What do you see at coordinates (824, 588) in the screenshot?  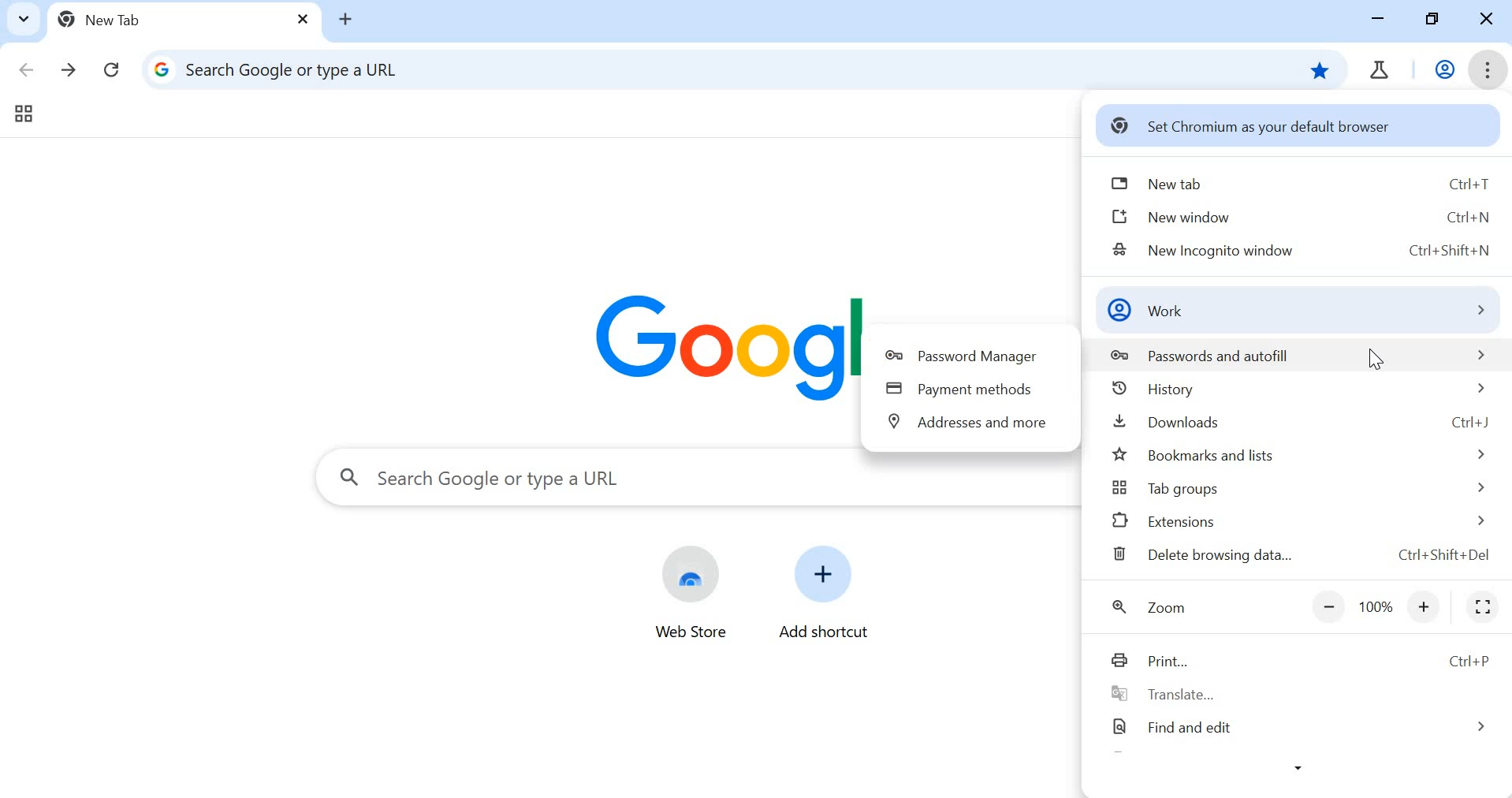 I see `add shortcut` at bounding box center [824, 588].